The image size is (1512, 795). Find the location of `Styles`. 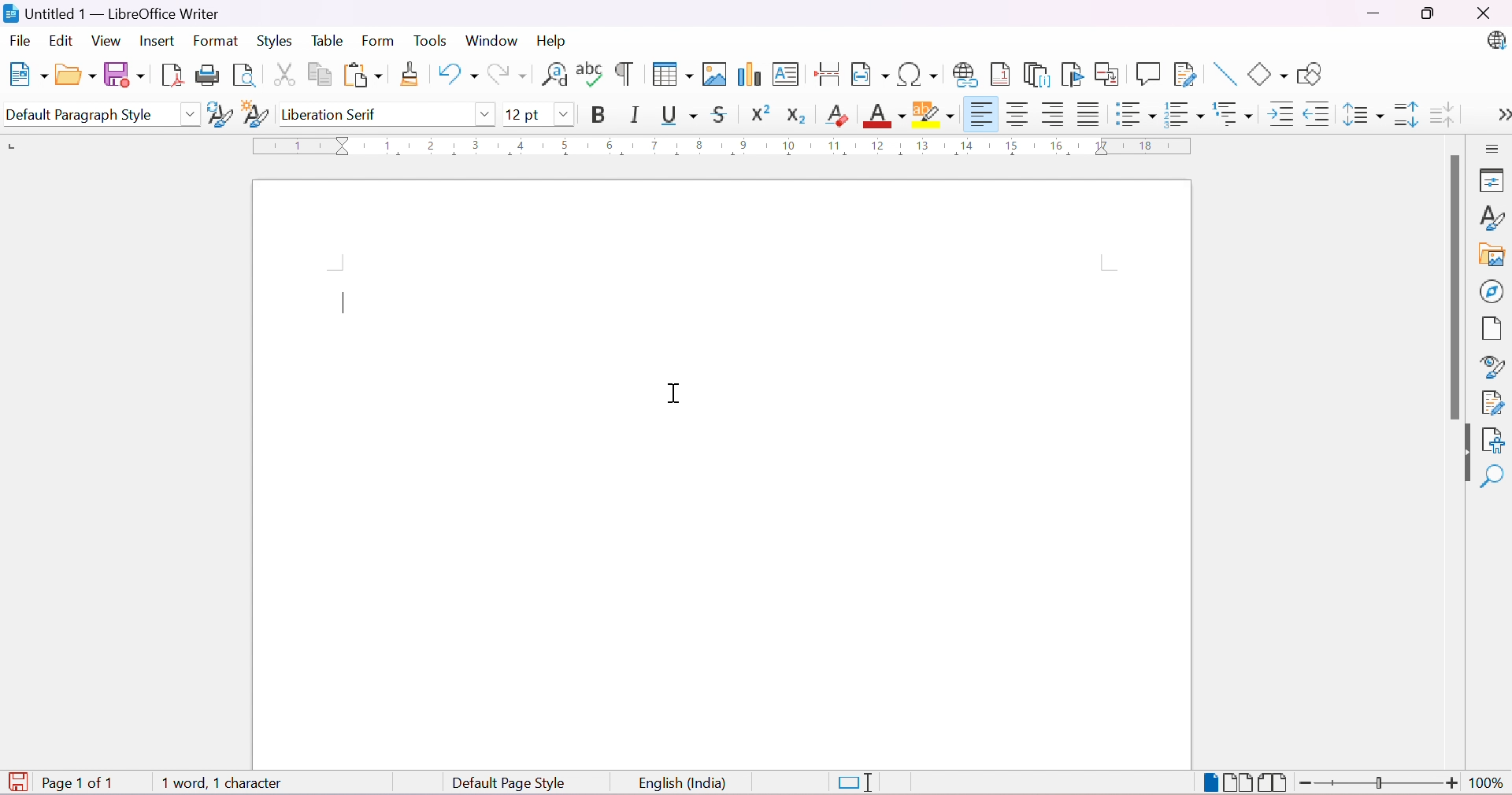

Styles is located at coordinates (1492, 217).